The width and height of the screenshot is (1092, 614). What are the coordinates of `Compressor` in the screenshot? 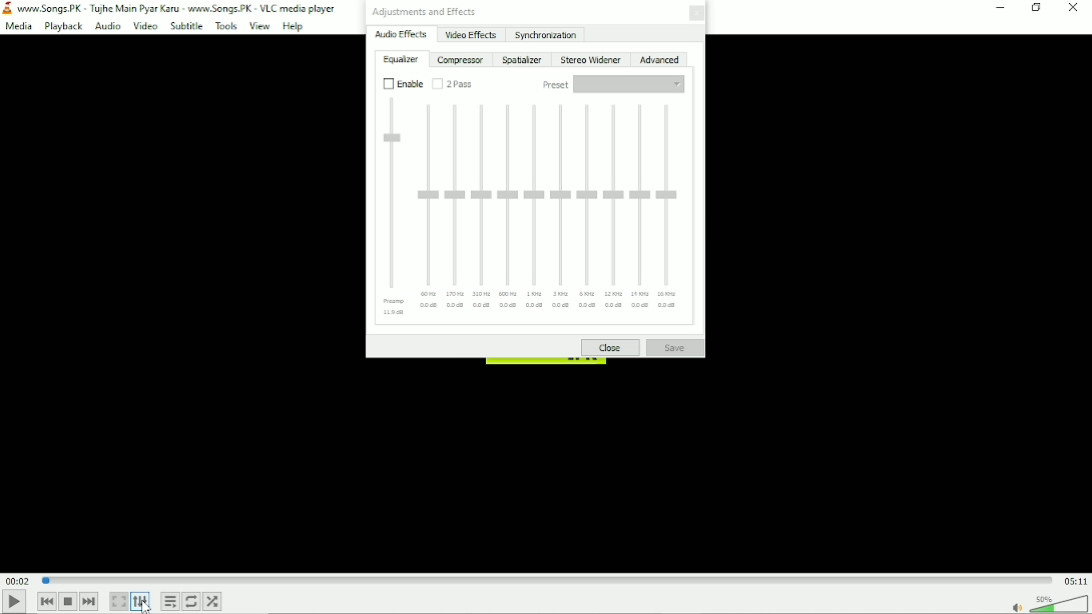 It's located at (460, 59).